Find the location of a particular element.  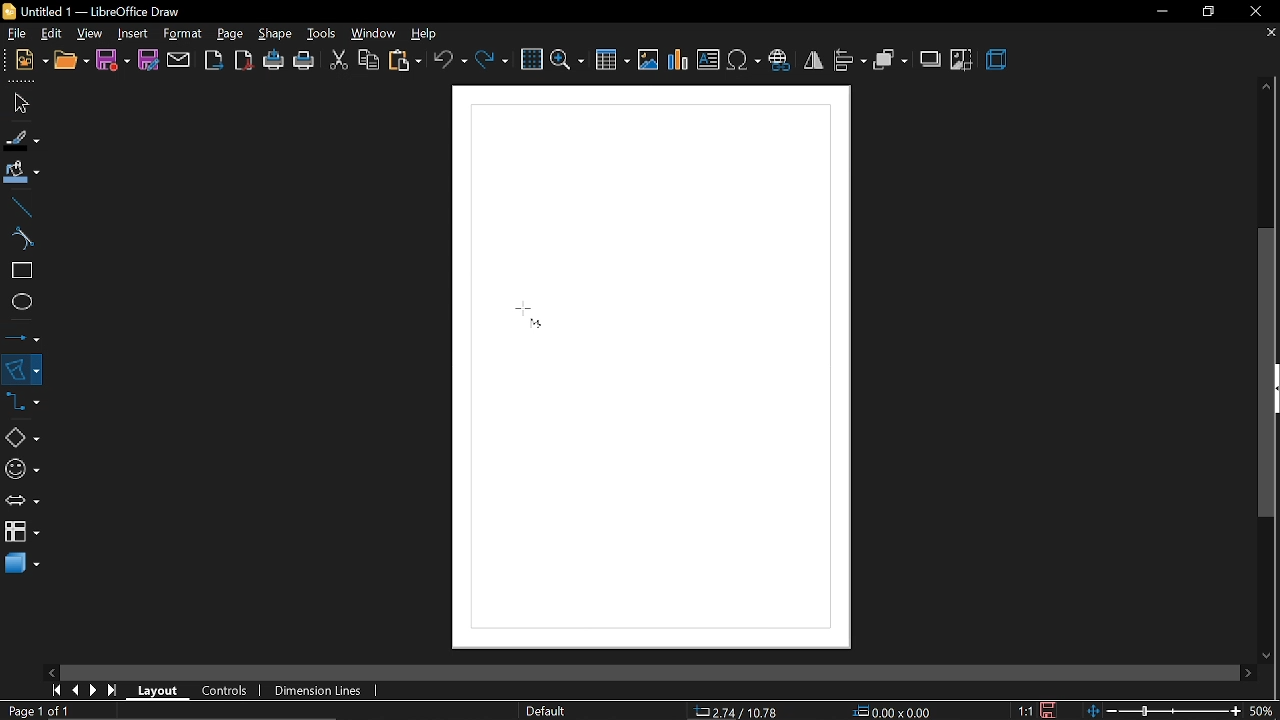

3d shapes is located at coordinates (20, 564).